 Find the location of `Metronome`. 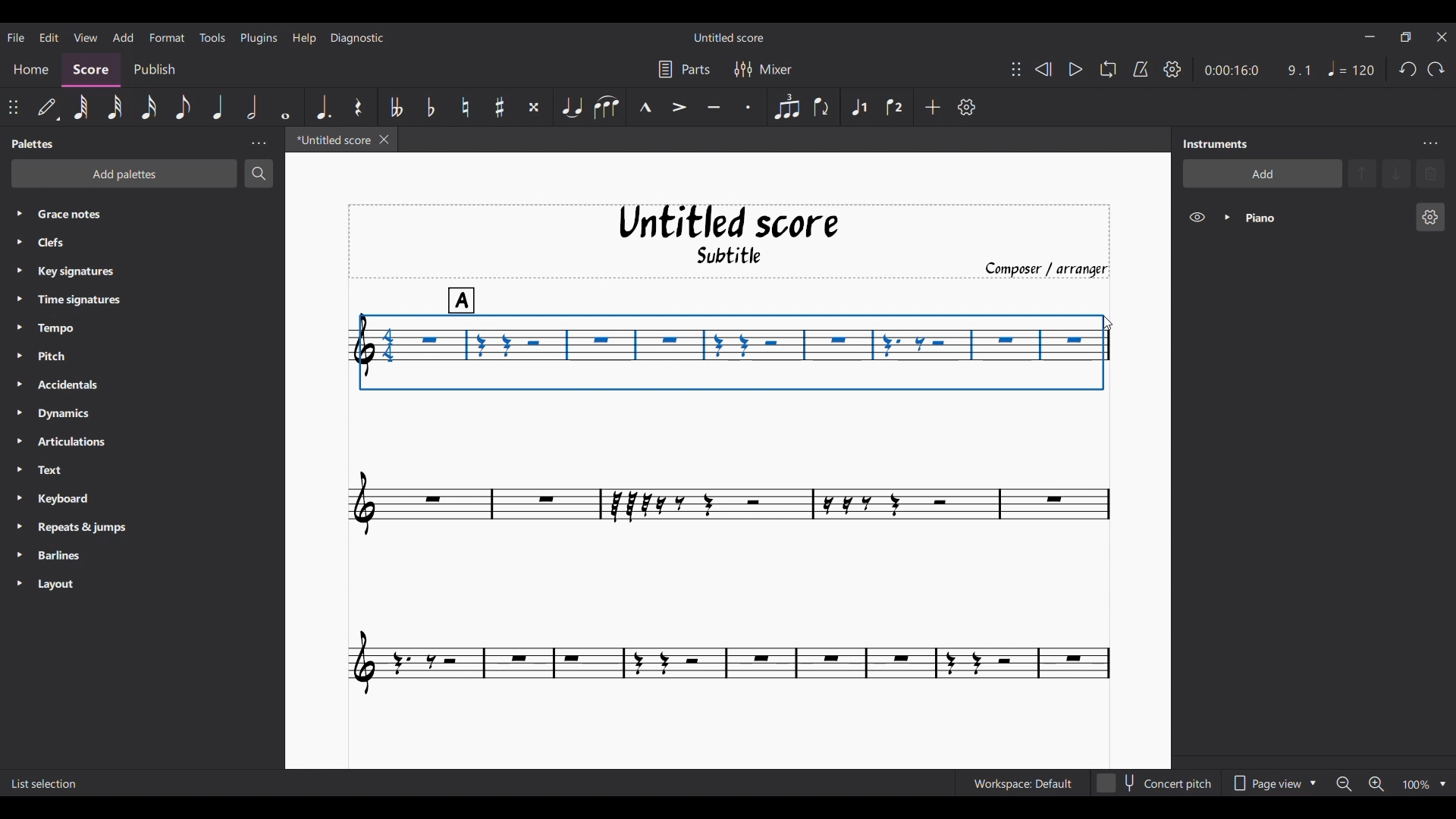

Metronome is located at coordinates (1141, 69).